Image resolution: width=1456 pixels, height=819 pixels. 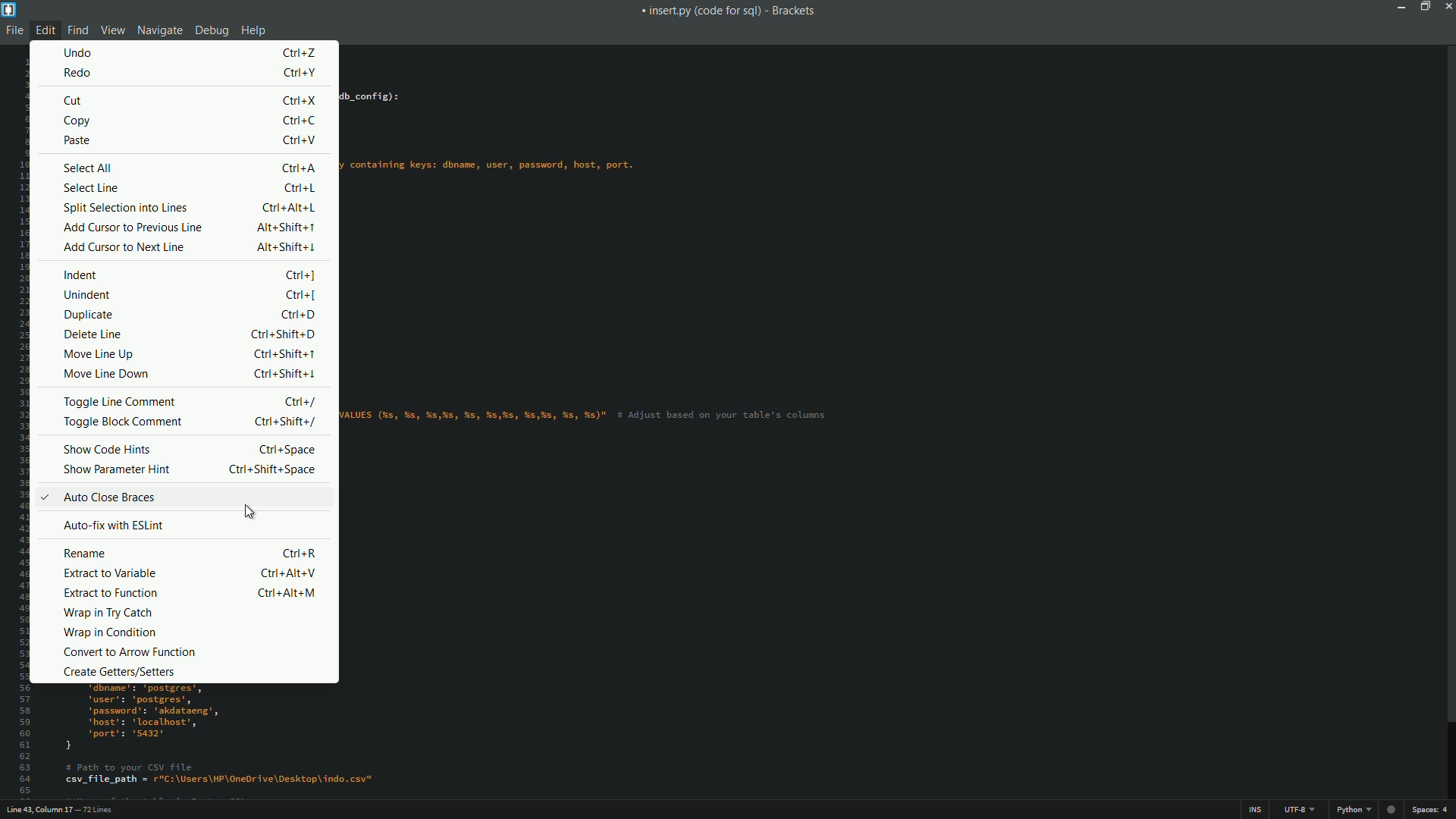 I want to click on « insert.py (code for sql) - Brackets, so click(x=731, y=13).